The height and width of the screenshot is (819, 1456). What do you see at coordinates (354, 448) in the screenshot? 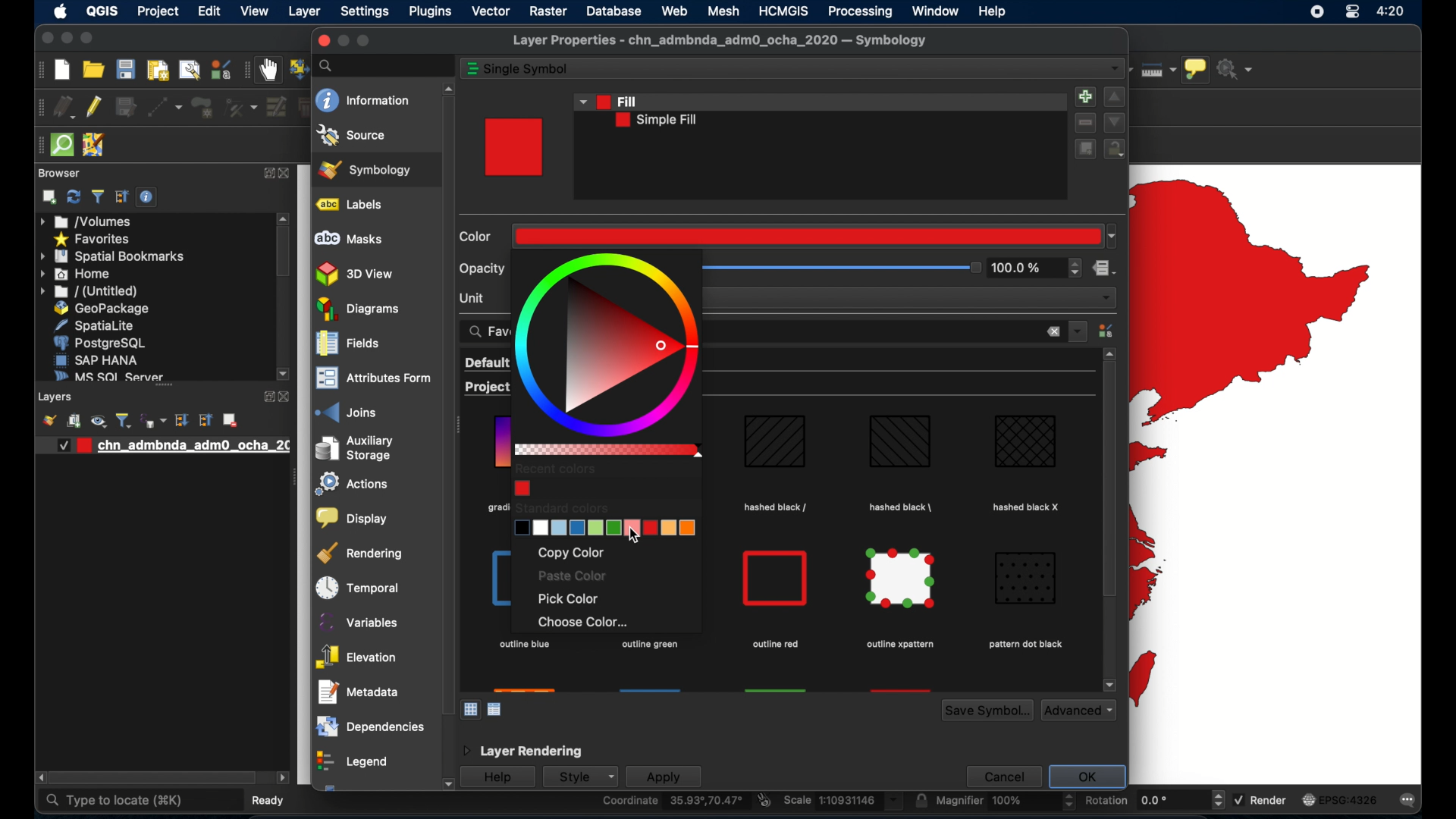
I see `auxiliary storage` at bounding box center [354, 448].